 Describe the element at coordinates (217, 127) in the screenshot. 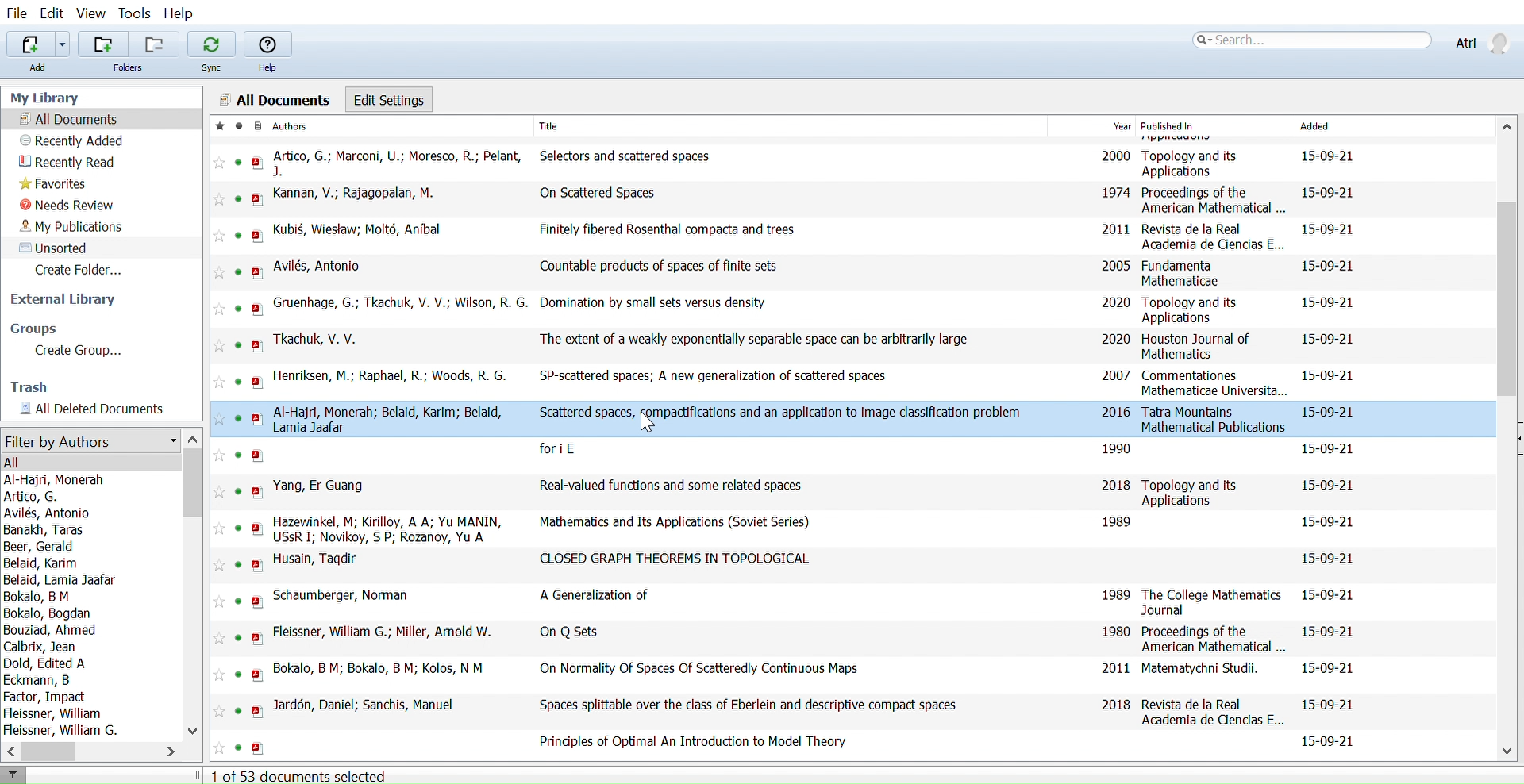

I see `Added to favorites` at that location.